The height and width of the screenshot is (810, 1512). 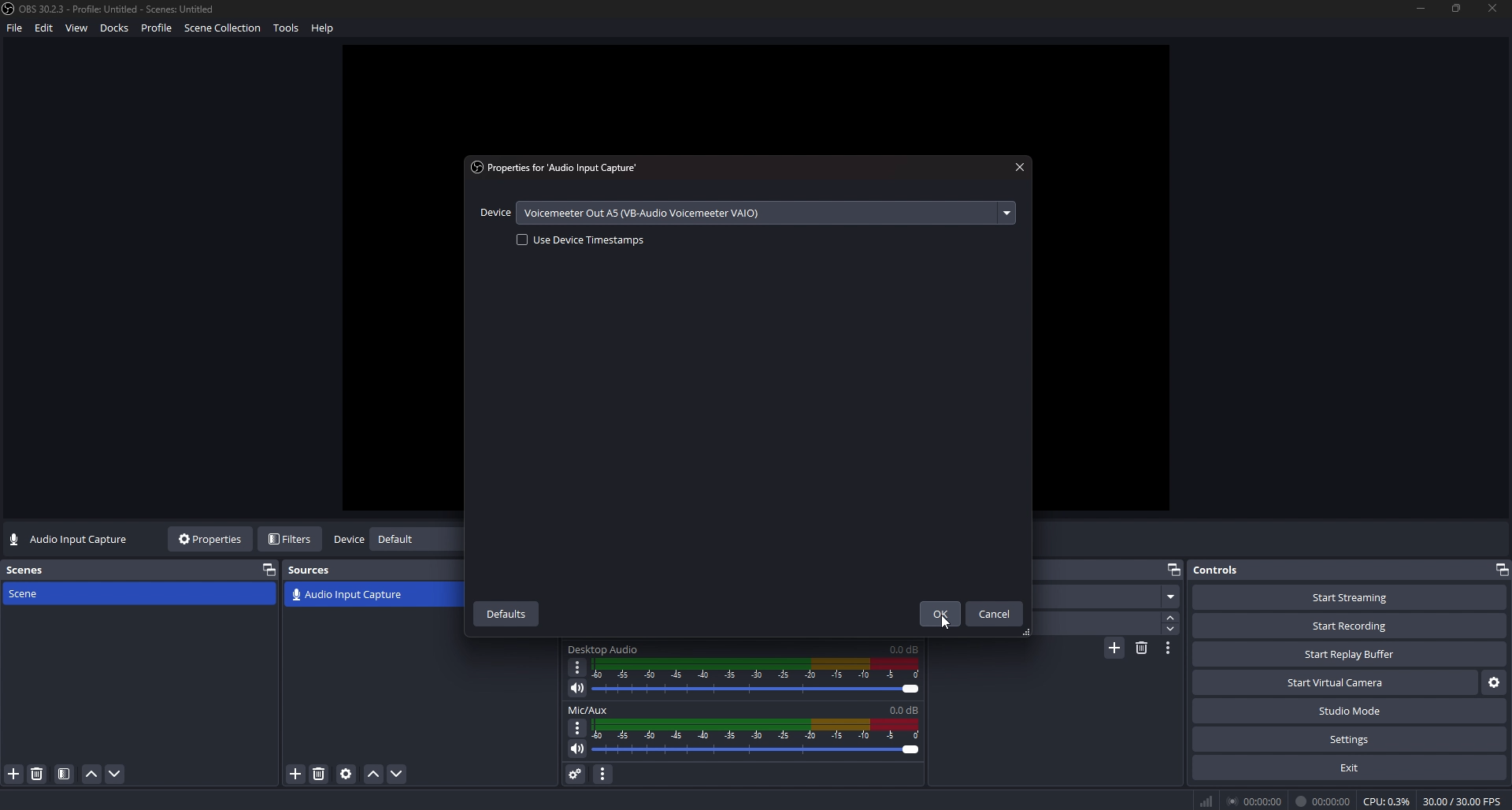 I want to click on cursor, so click(x=943, y=623).